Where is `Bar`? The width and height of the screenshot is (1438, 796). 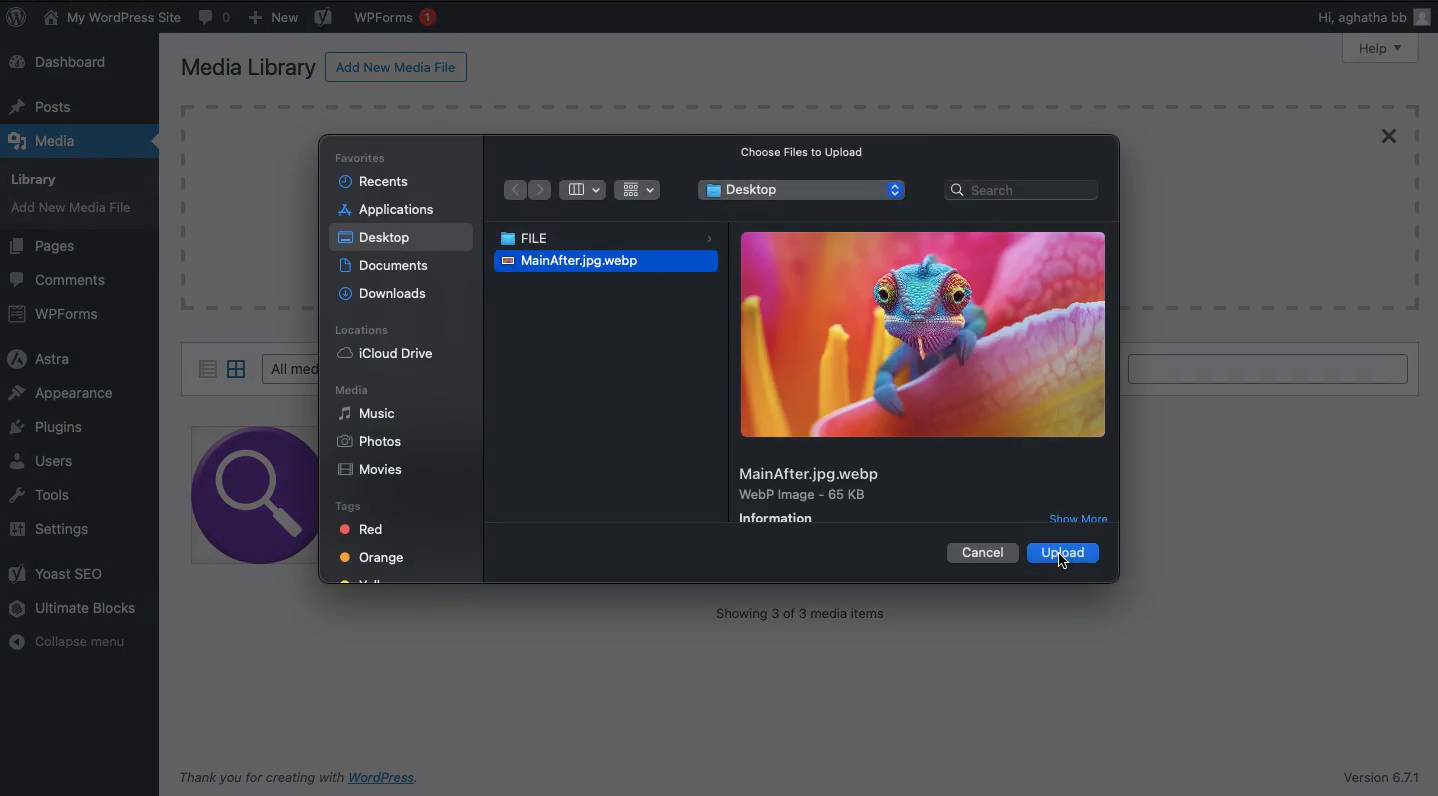
Bar is located at coordinates (585, 189).